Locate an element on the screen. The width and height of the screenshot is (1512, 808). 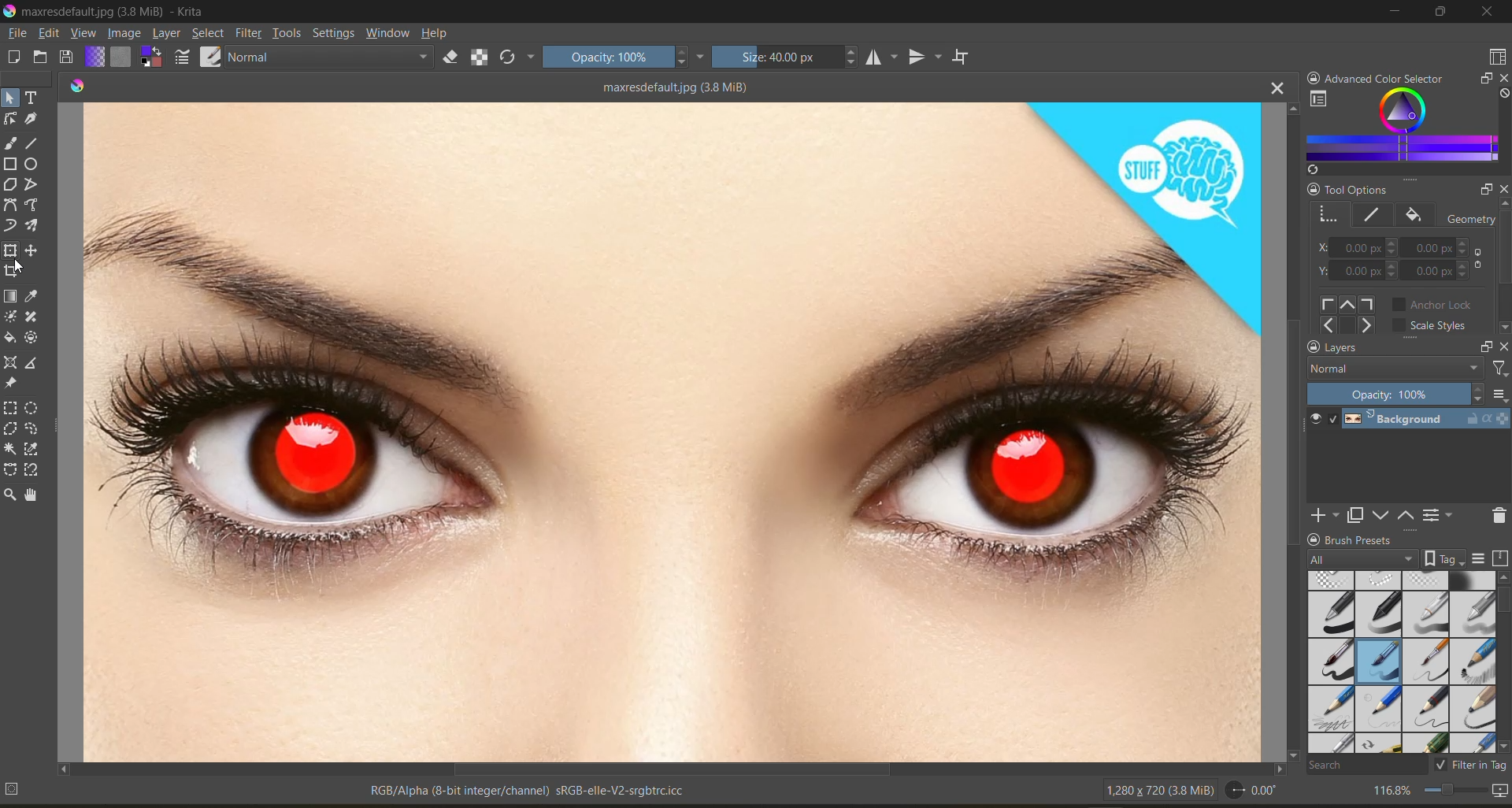
Cursor is located at coordinates (20, 269).